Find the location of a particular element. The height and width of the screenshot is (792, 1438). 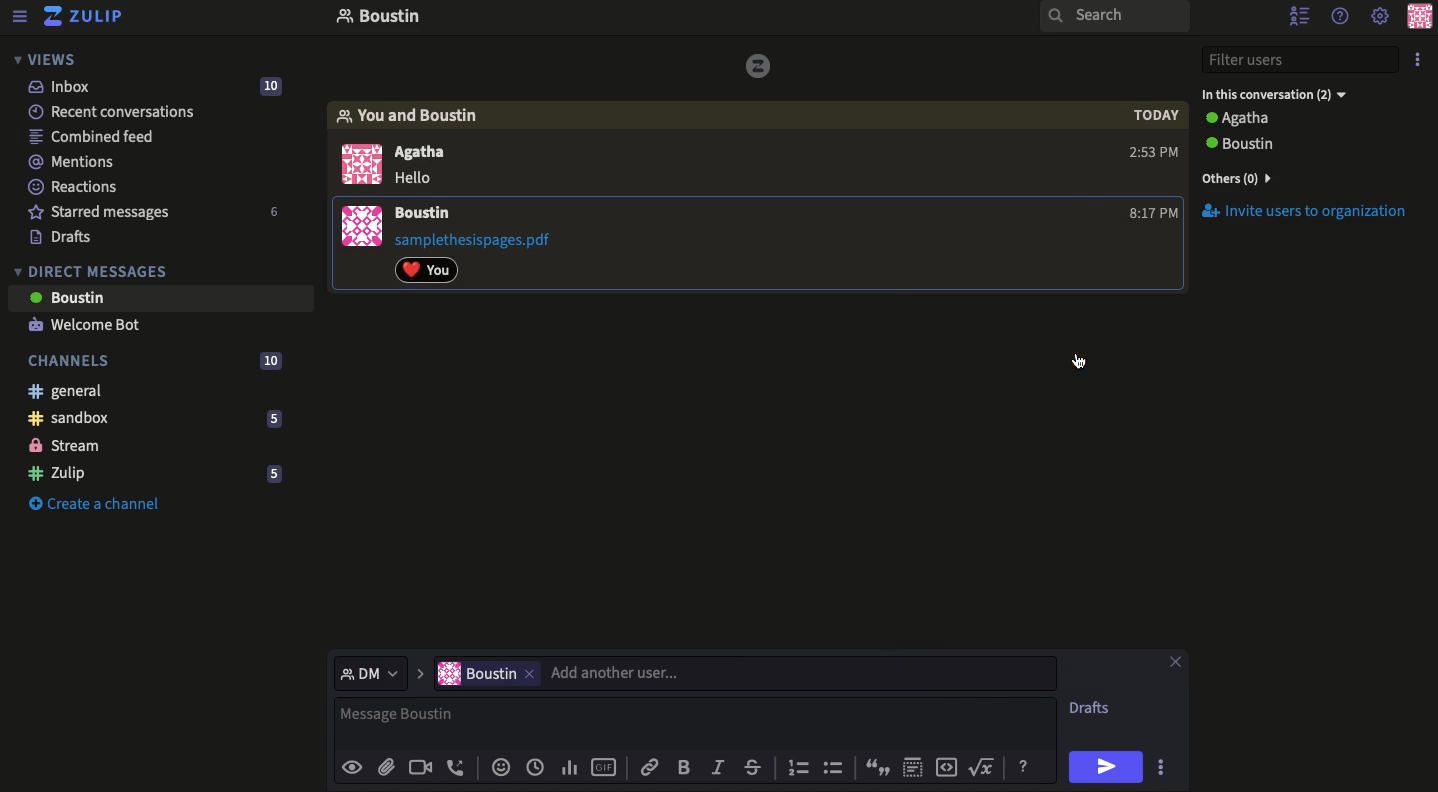

Drafts is located at coordinates (59, 238).